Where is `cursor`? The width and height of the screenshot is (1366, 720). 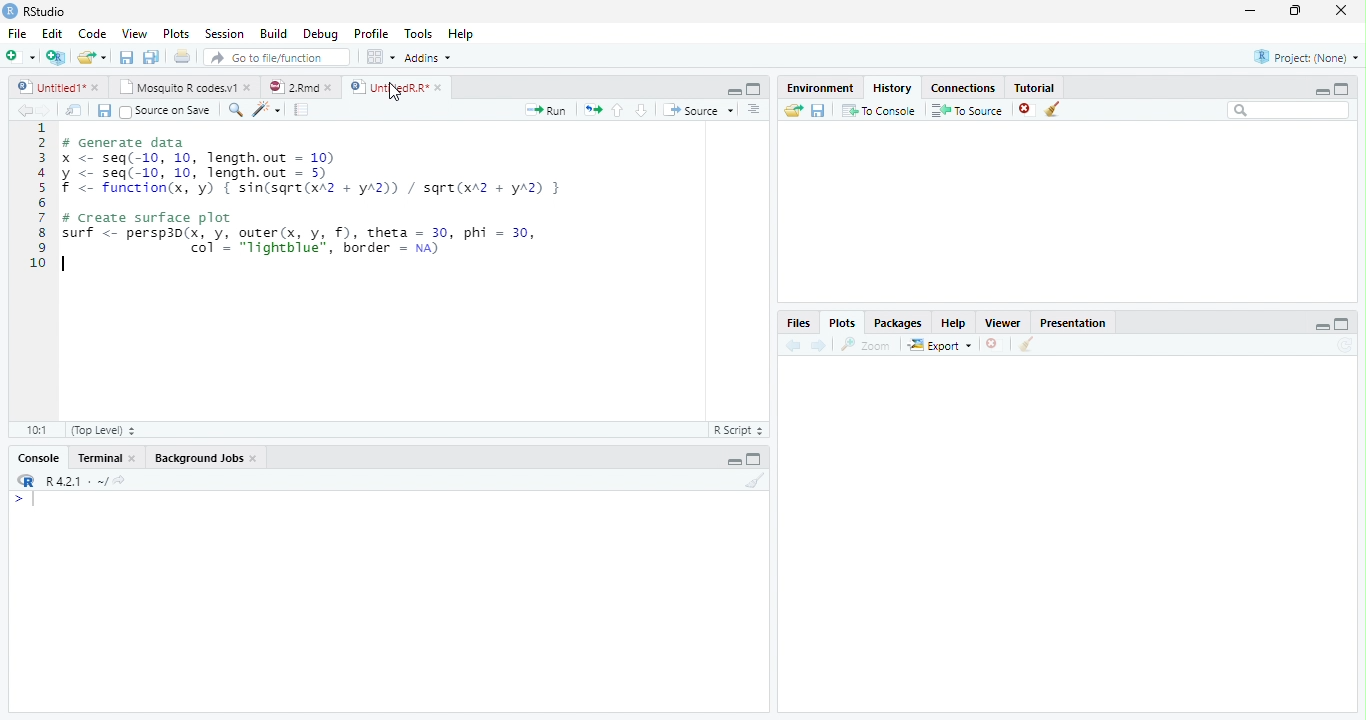 cursor is located at coordinates (395, 92).